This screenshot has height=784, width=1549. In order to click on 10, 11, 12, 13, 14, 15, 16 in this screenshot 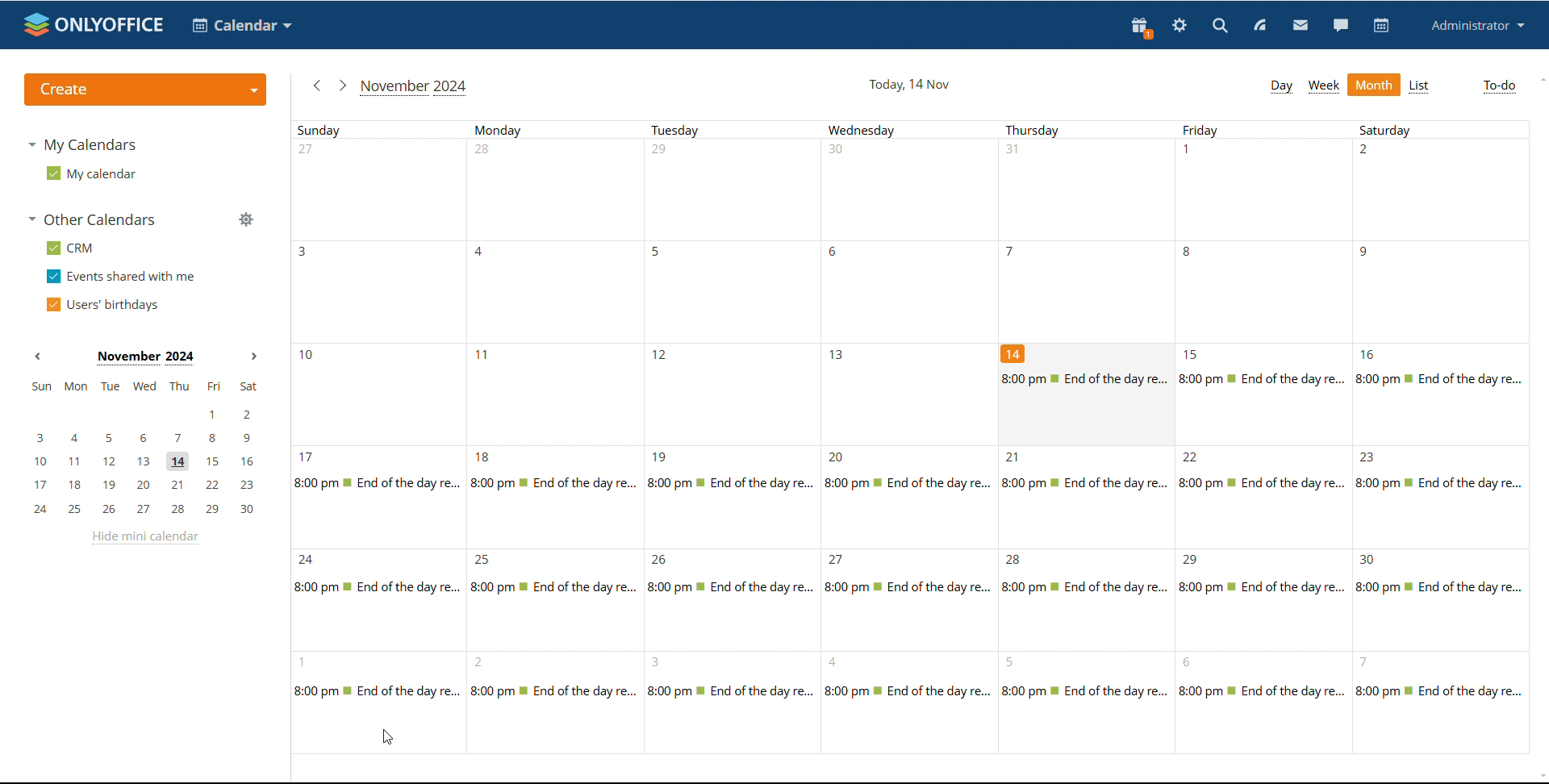, I will do `click(148, 462)`.